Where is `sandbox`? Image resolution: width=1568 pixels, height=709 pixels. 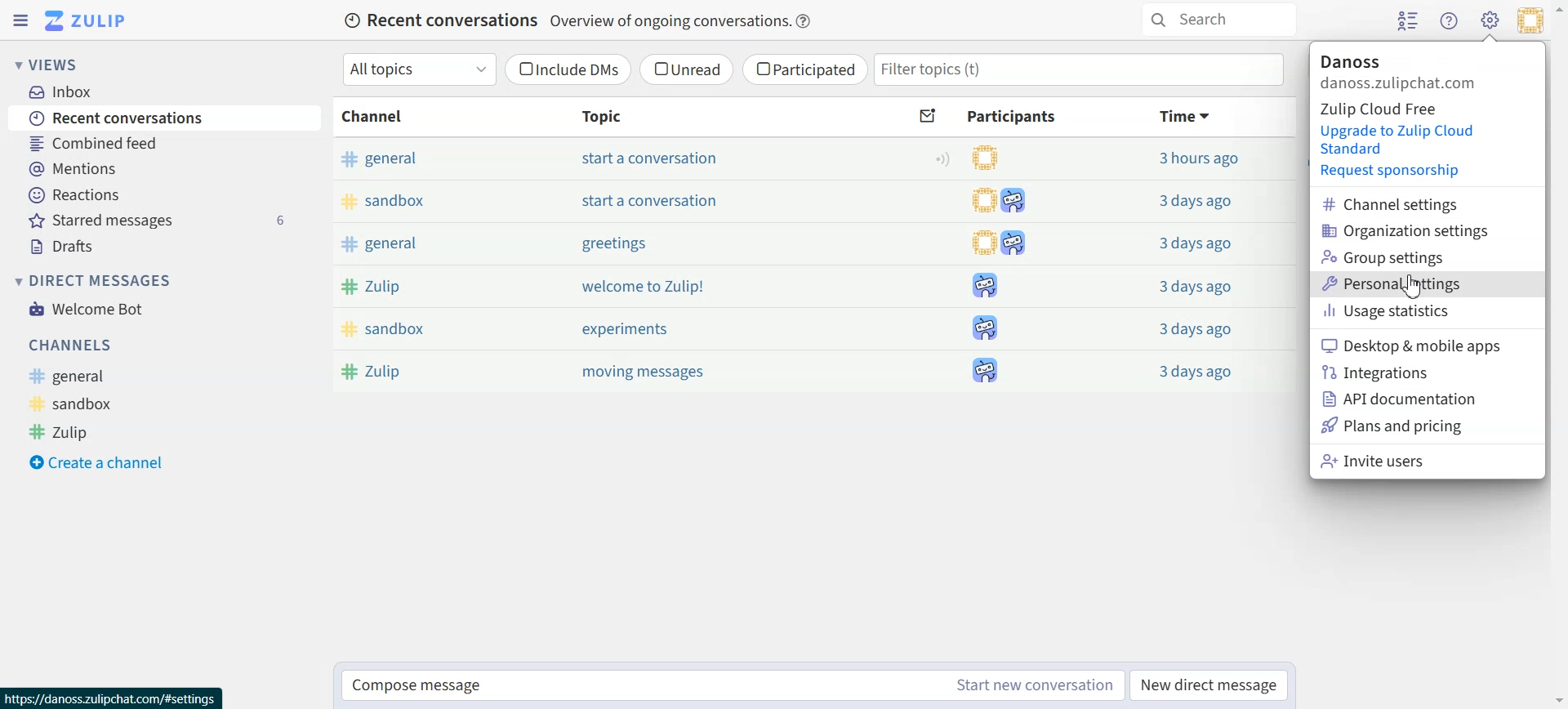
sandbox is located at coordinates (388, 331).